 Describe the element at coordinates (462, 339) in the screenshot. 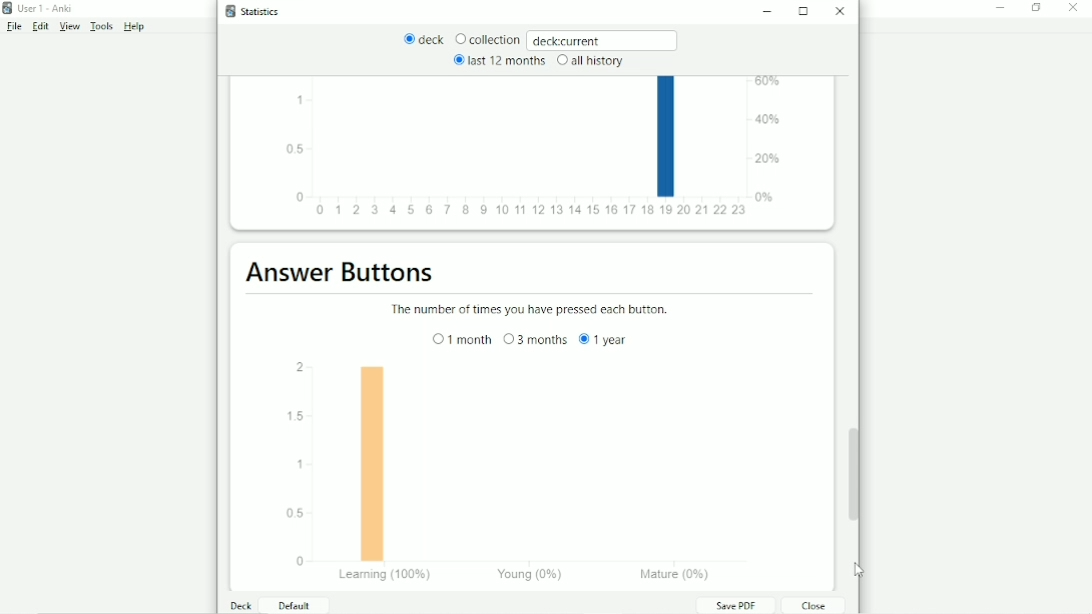

I see `1 month` at that location.